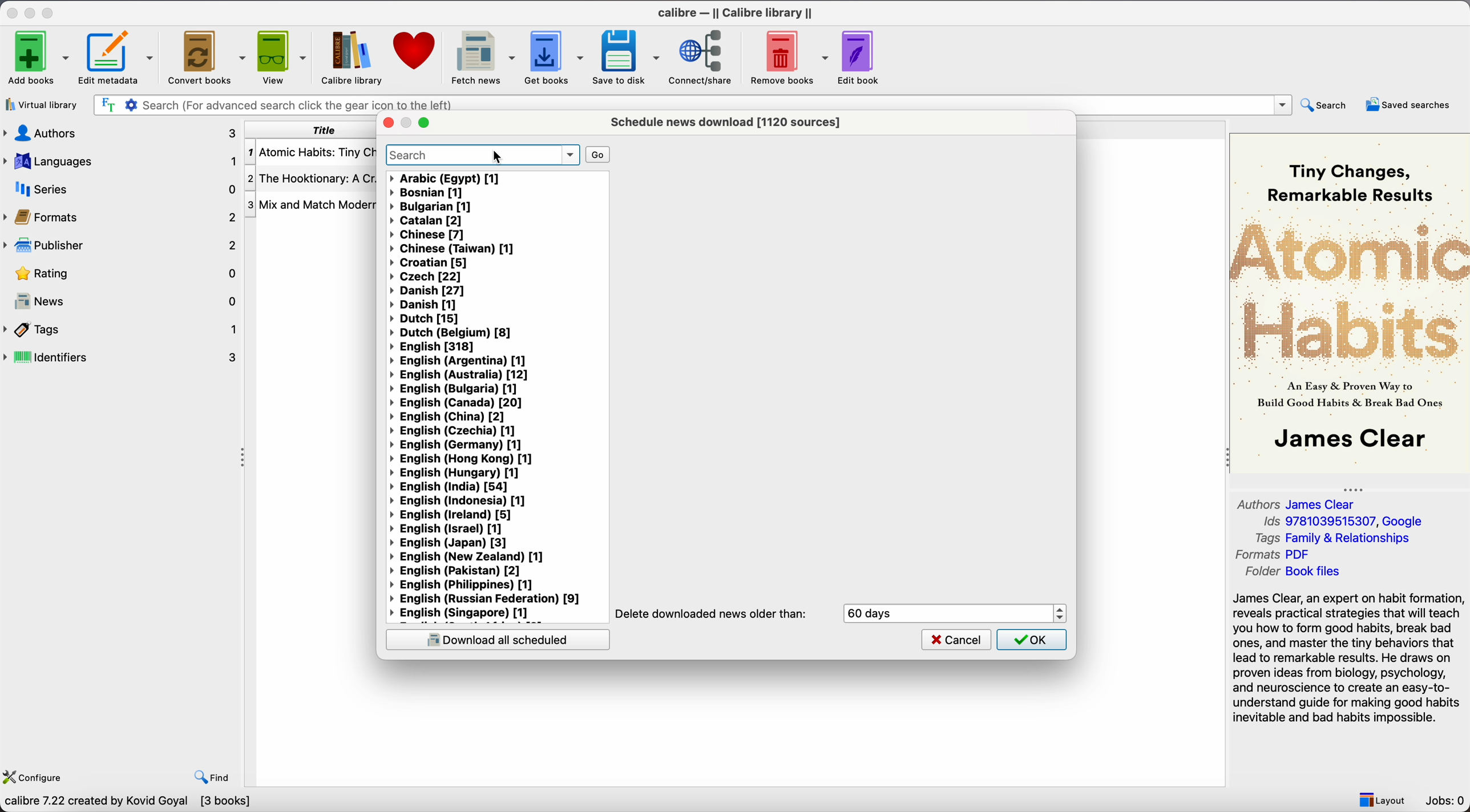  I want to click on Authors James Clear, so click(1298, 503).